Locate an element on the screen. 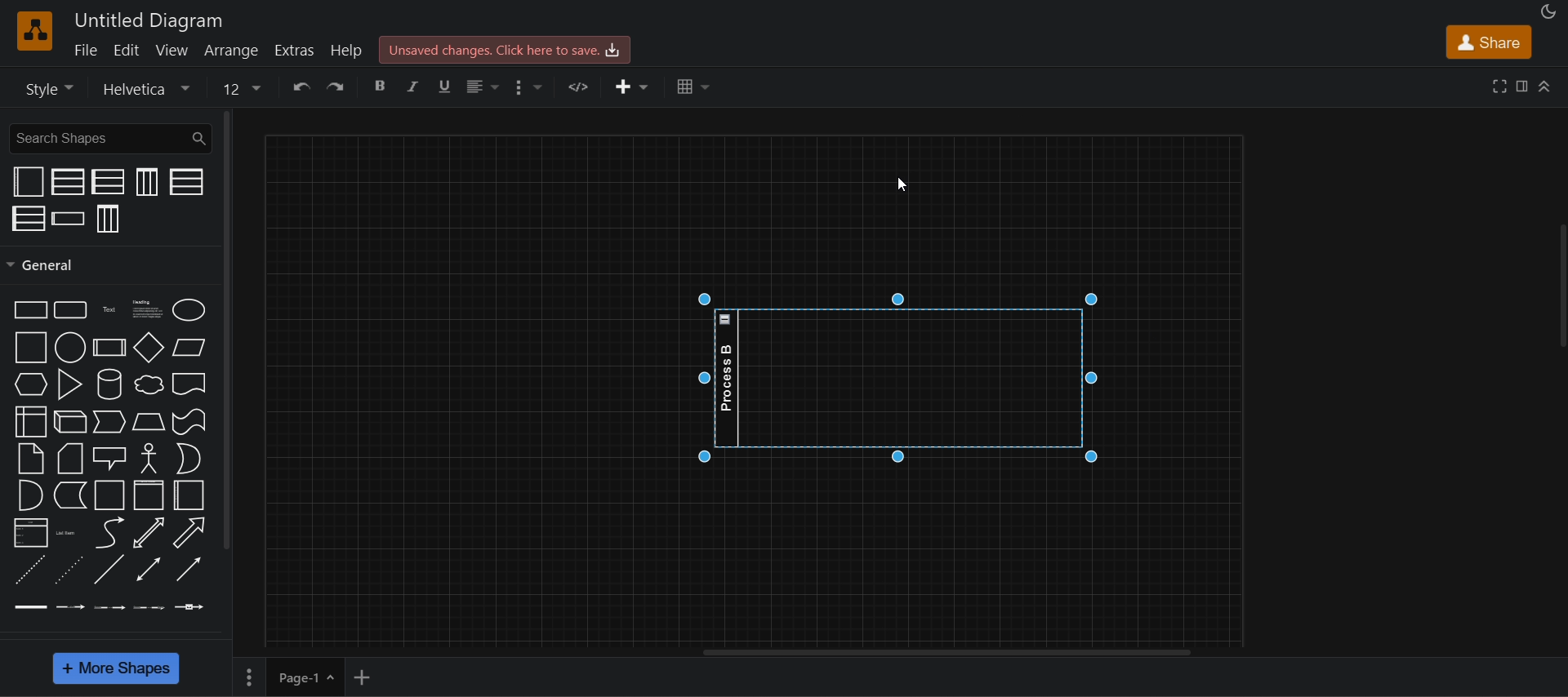 The height and width of the screenshot is (697, 1568). card is located at coordinates (70, 458).